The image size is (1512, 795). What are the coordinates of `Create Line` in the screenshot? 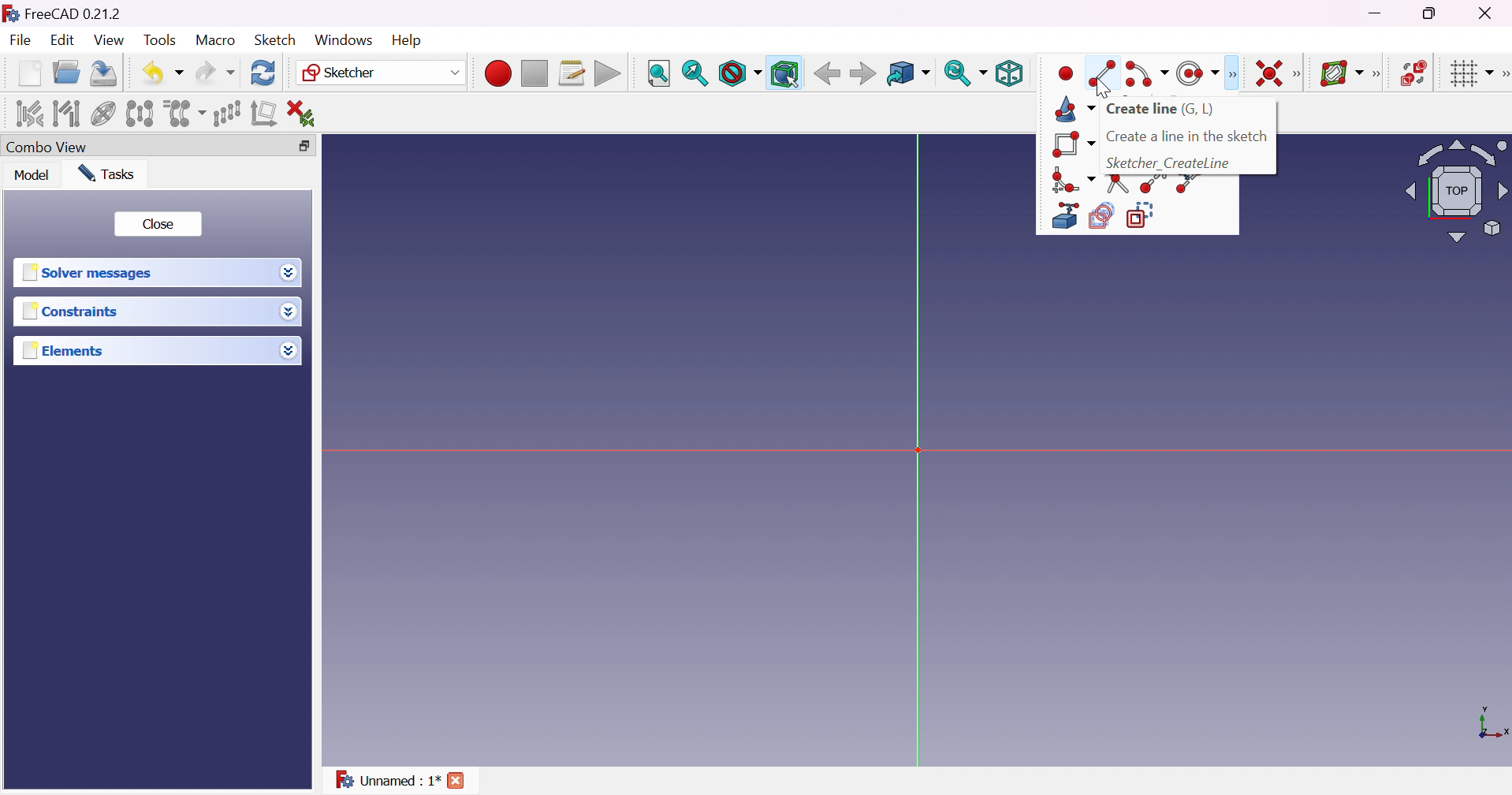 It's located at (1104, 64).